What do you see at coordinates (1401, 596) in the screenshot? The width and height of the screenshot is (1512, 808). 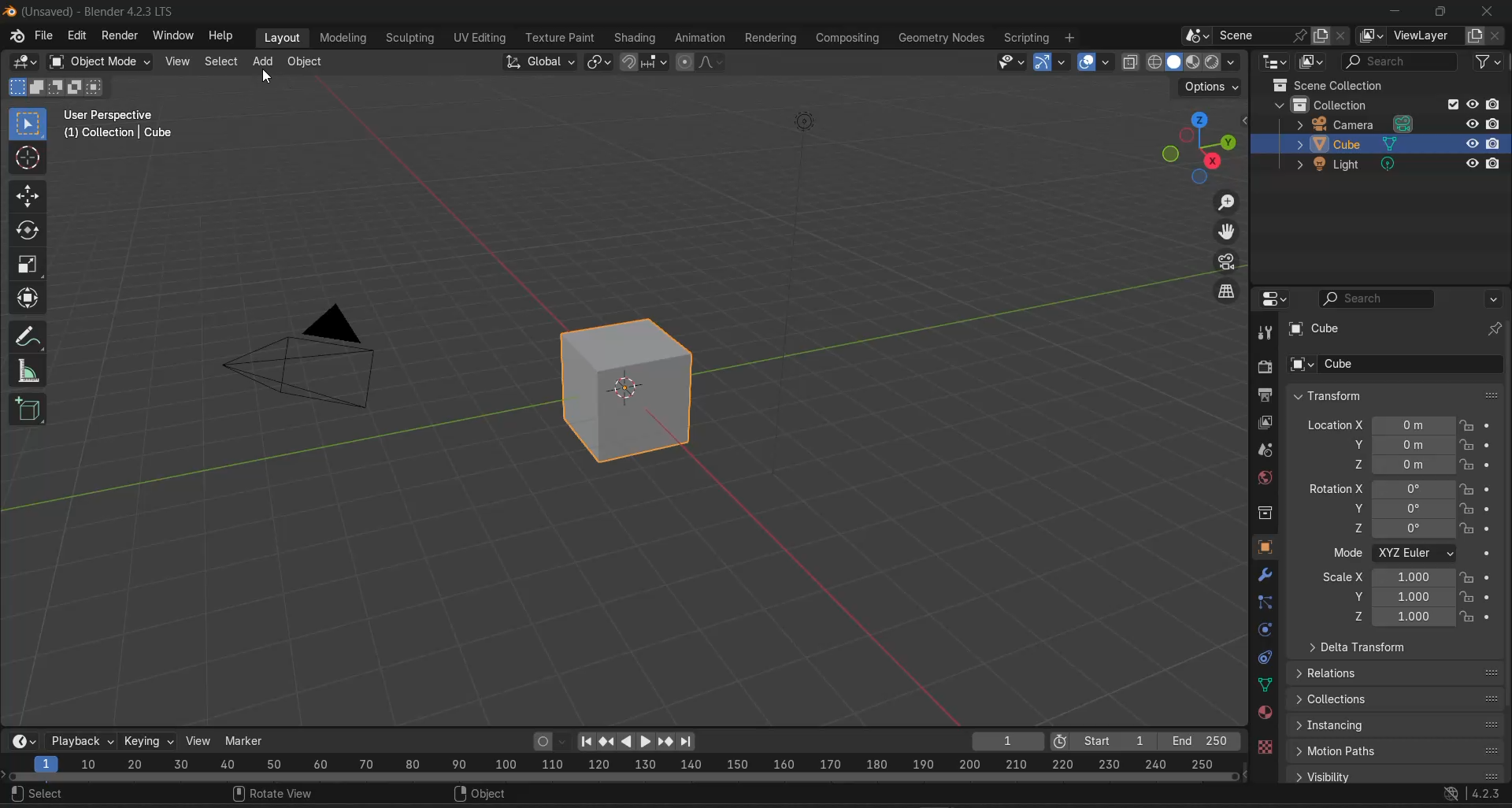 I see `scale y` at bounding box center [1401, 596].